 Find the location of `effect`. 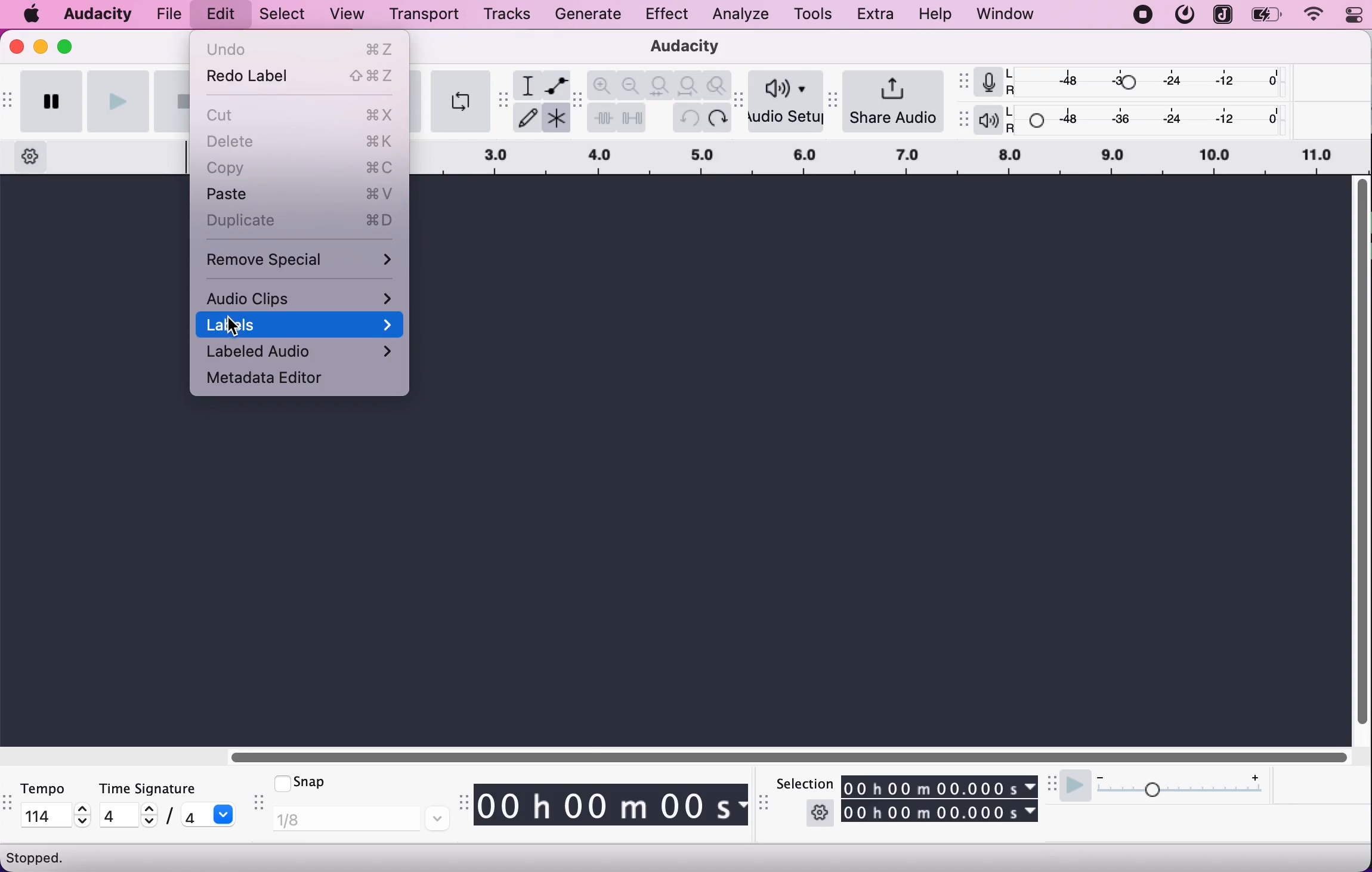

effect is located at coordinates (667, 16).